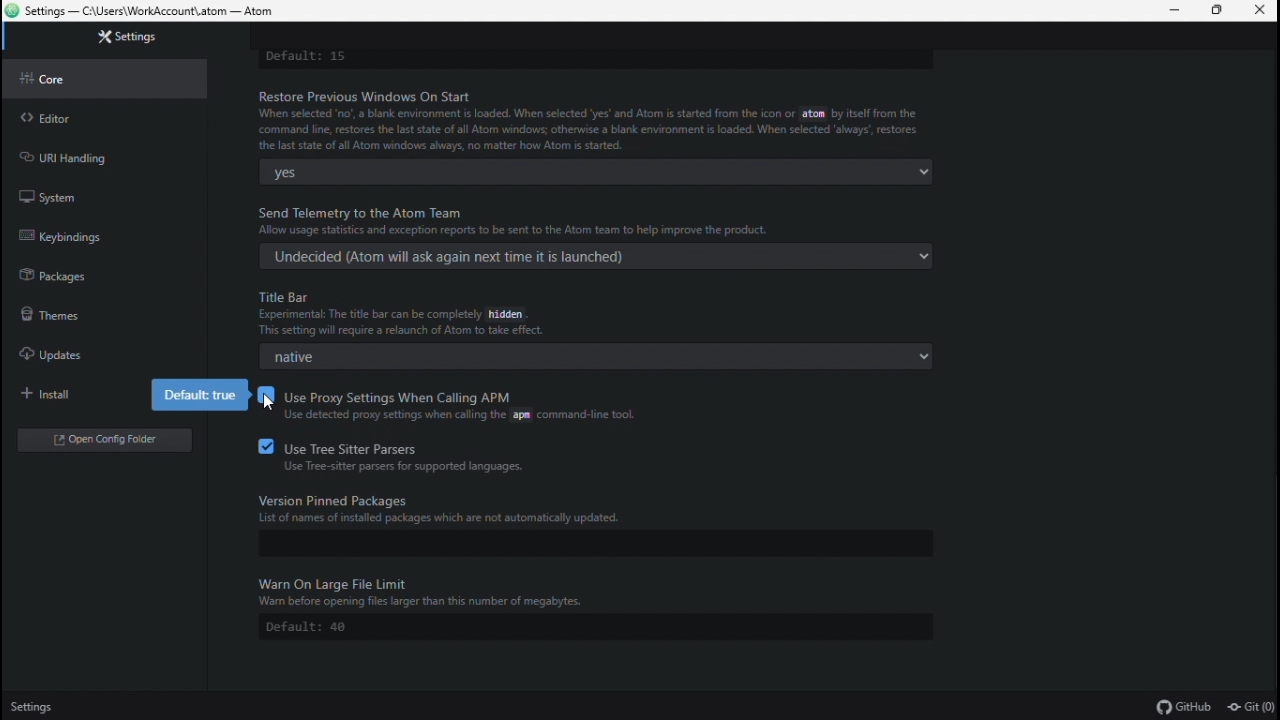 This screenshot has width=1280, height=720. What do you see at coordinates (270, 399) in the screenshot?
I see `Cursor` at bounding box center [270, 399].